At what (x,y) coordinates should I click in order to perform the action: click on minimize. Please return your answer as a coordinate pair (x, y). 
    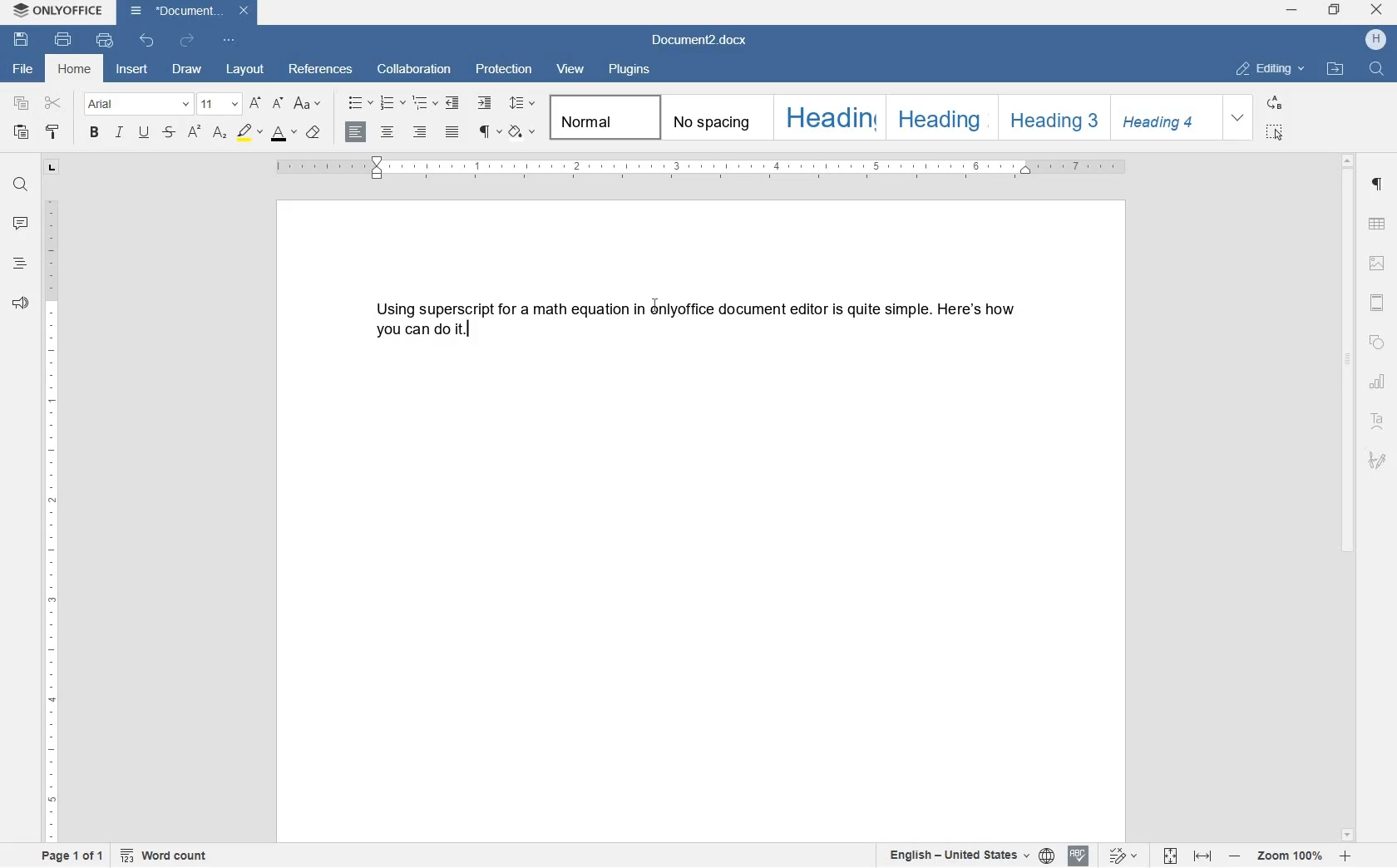
    Looking at the image, I should click on (1291, 10).